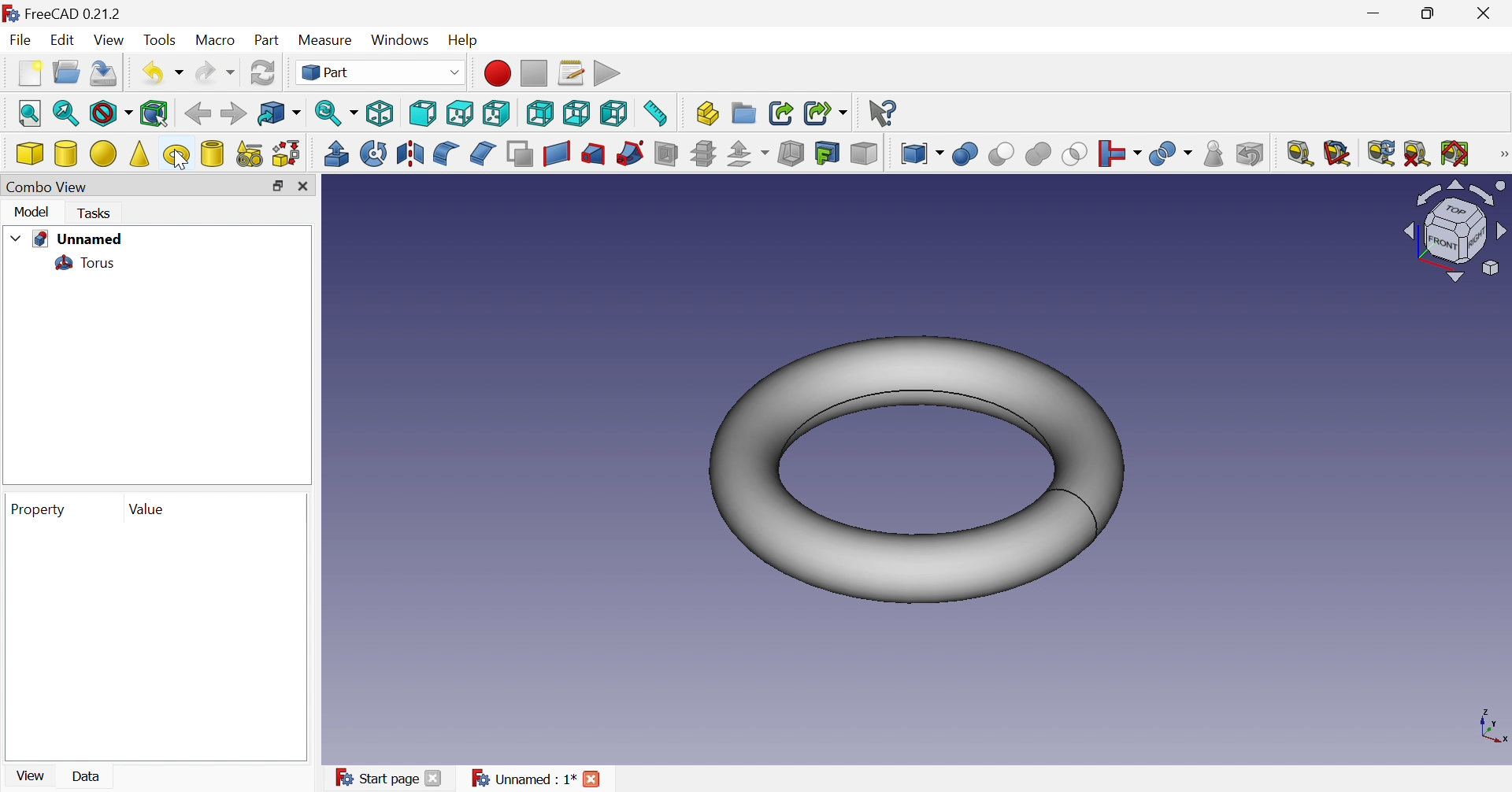 The height and width of the screenshot is (792, 1512). I want to click on Measure distance, so click(660, 113).